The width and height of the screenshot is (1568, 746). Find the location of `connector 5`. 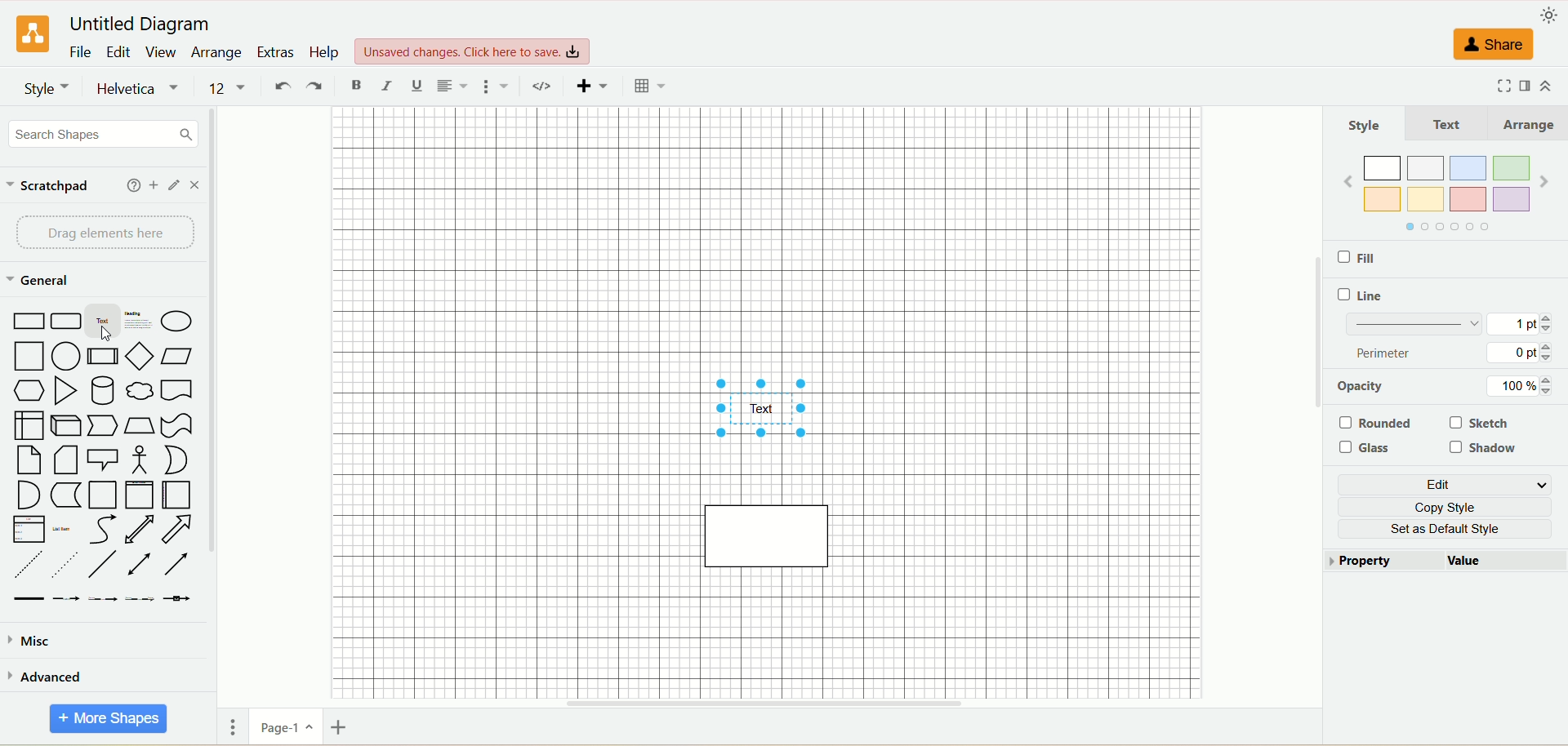

connector 5 is located at coordinates (179, 597).